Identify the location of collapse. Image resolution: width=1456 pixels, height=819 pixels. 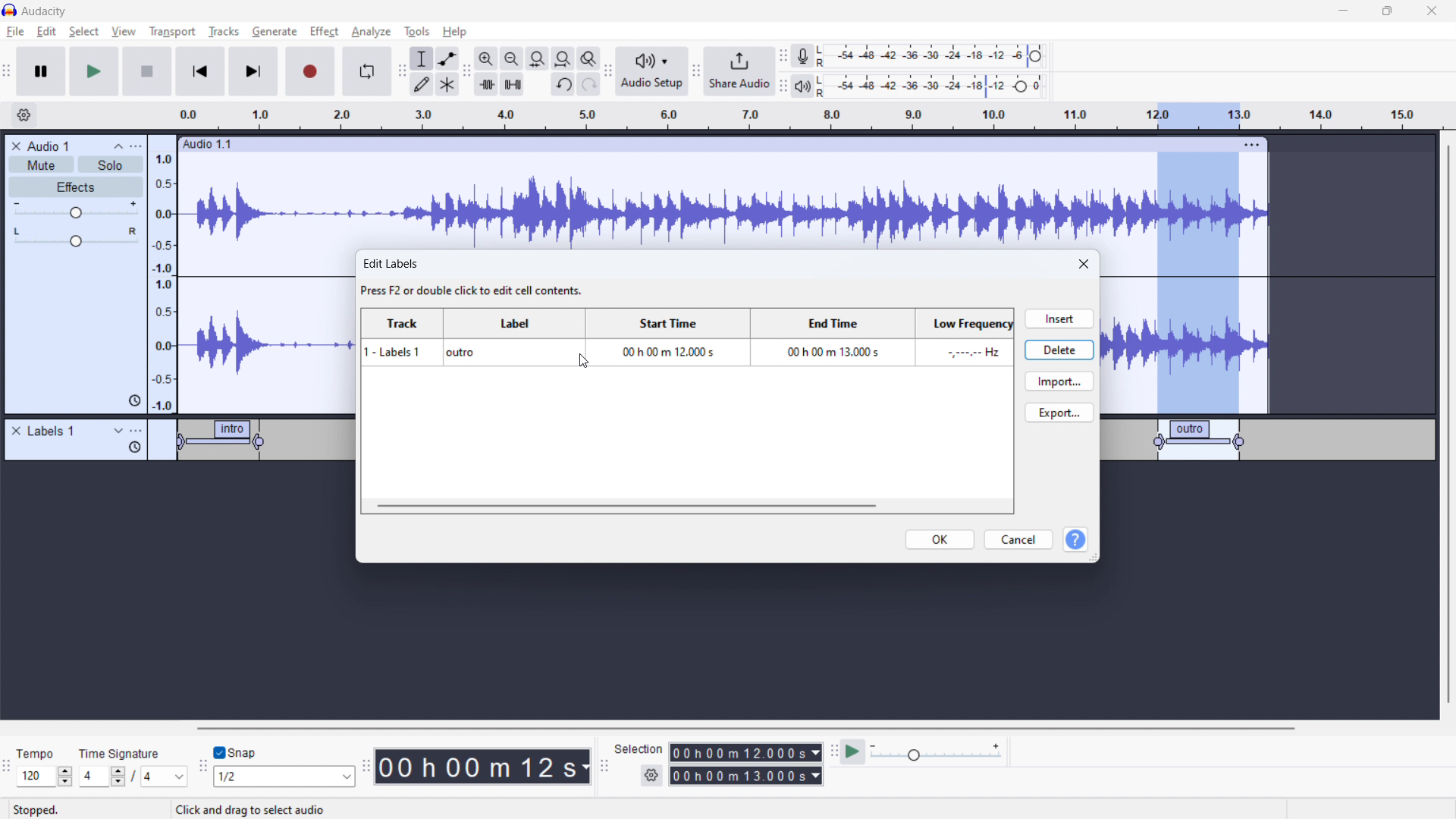
(118, 146).